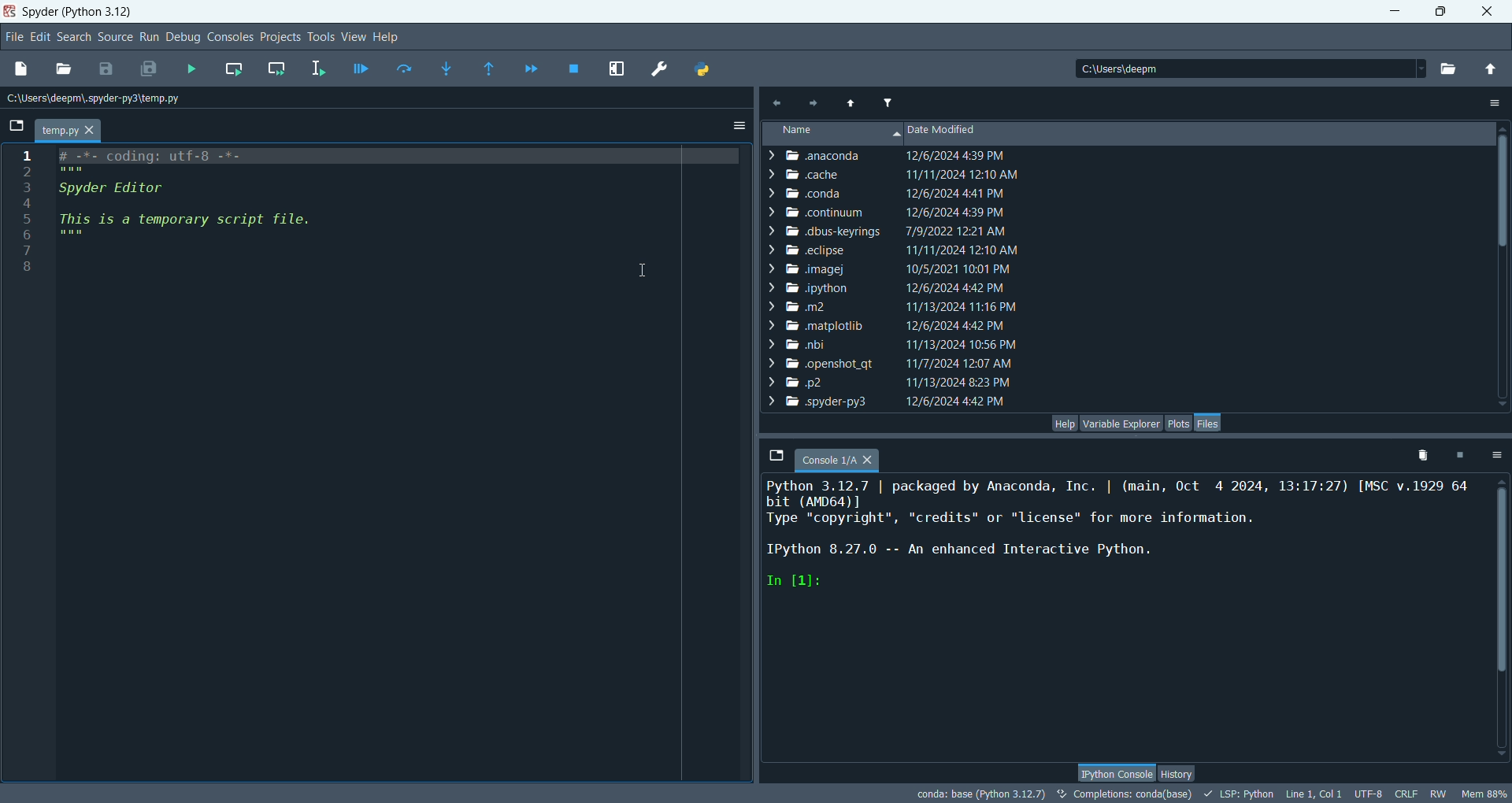  Describe the element at coordinates (1438, 794) in the screenshot. I see `RW` at that location.